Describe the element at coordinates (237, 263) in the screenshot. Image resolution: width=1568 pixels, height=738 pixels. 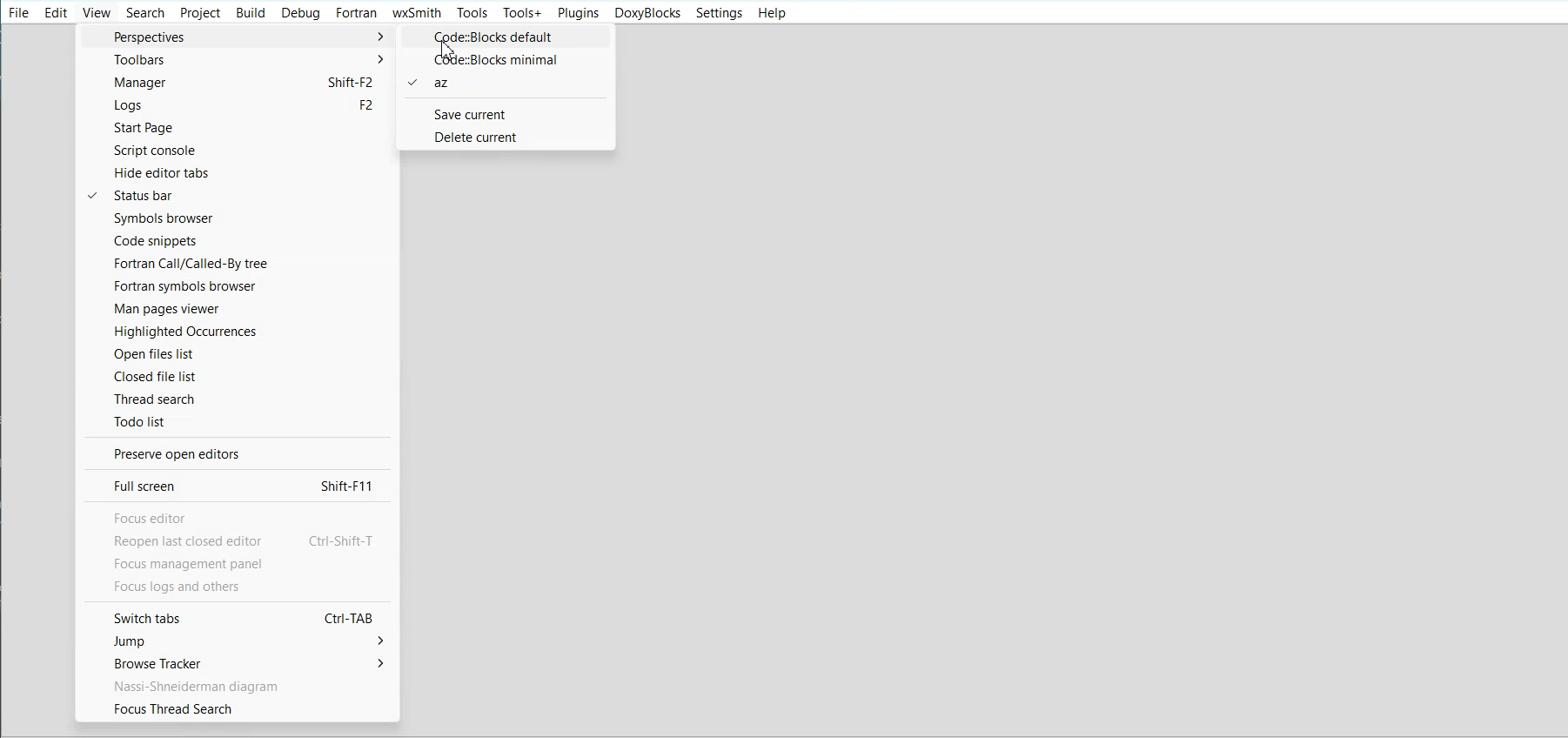
I see `Fortran call` at that location.